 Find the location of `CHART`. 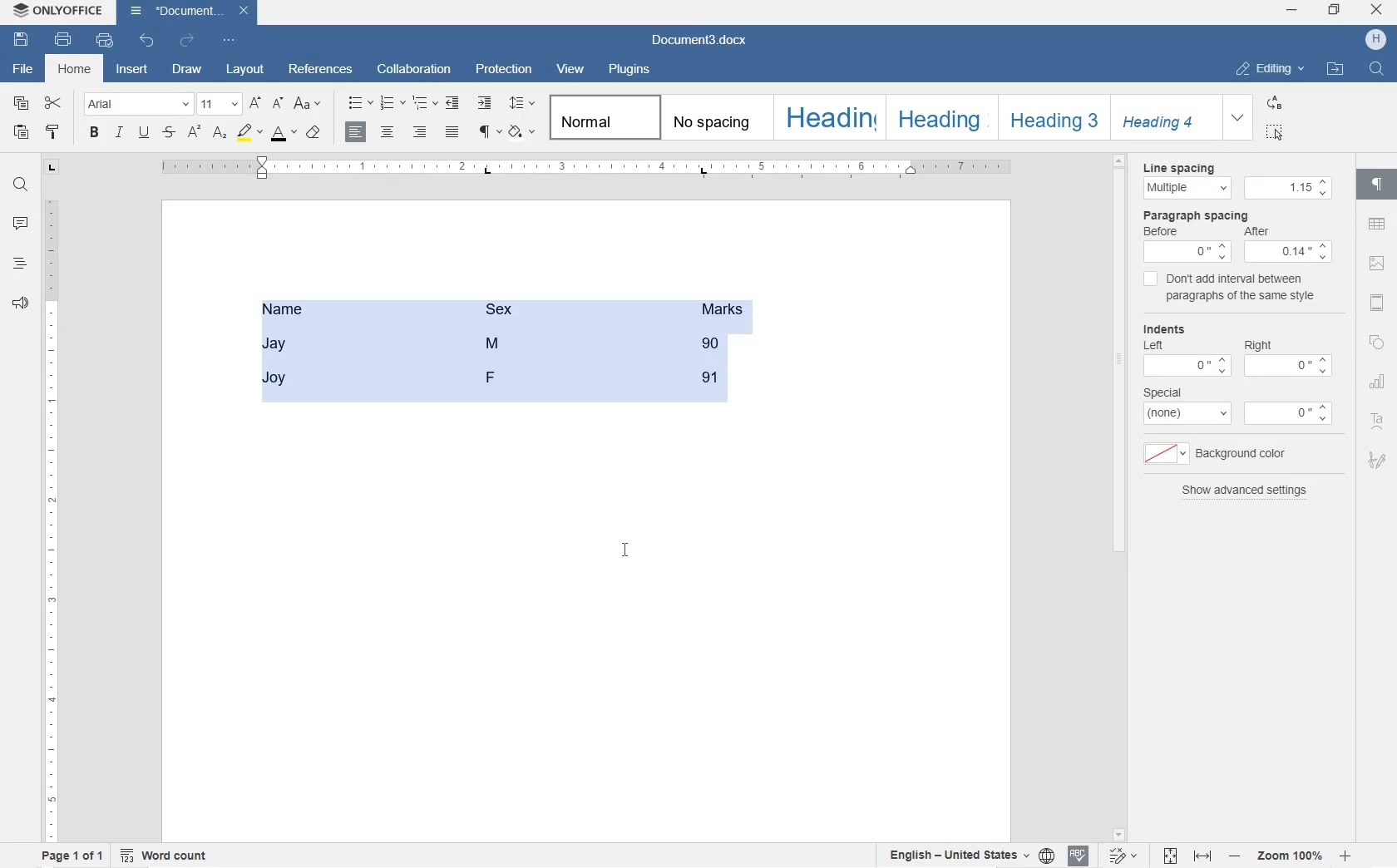

CHART is located at coordinates (1377, 384).